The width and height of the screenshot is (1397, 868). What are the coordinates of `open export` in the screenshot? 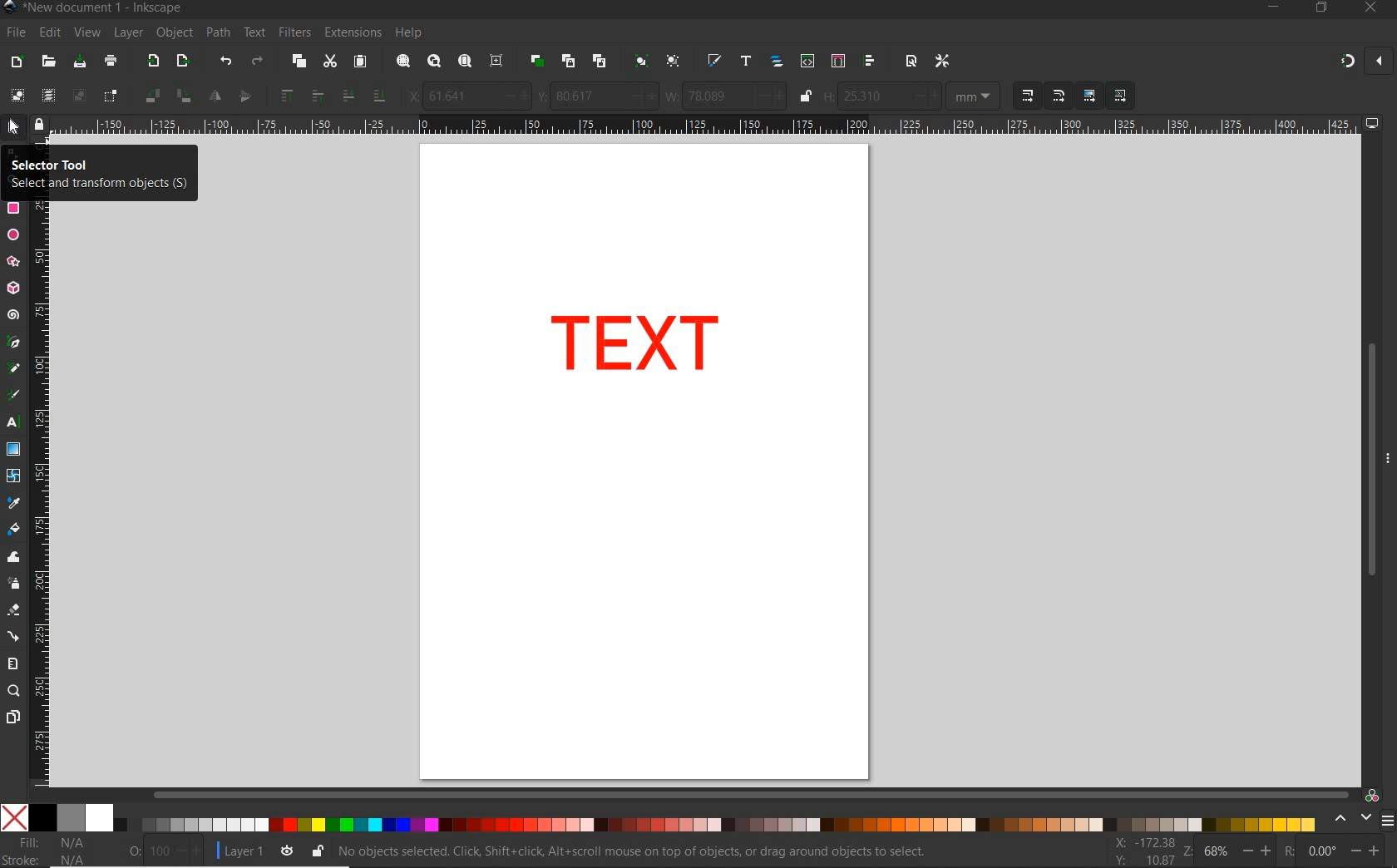 It's located at (182, 62).